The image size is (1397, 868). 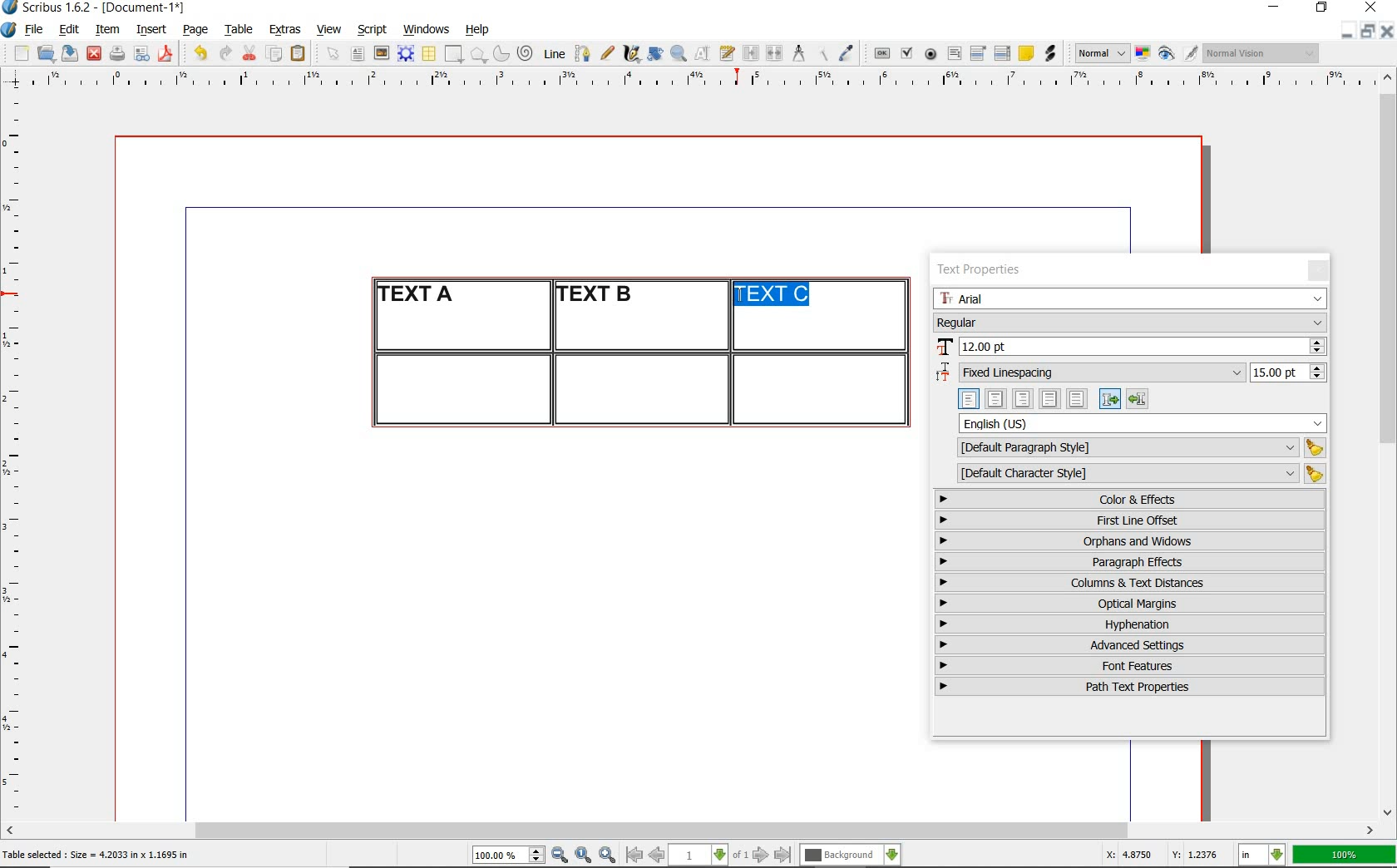 I want to click on select, so click(x=334, y=55).